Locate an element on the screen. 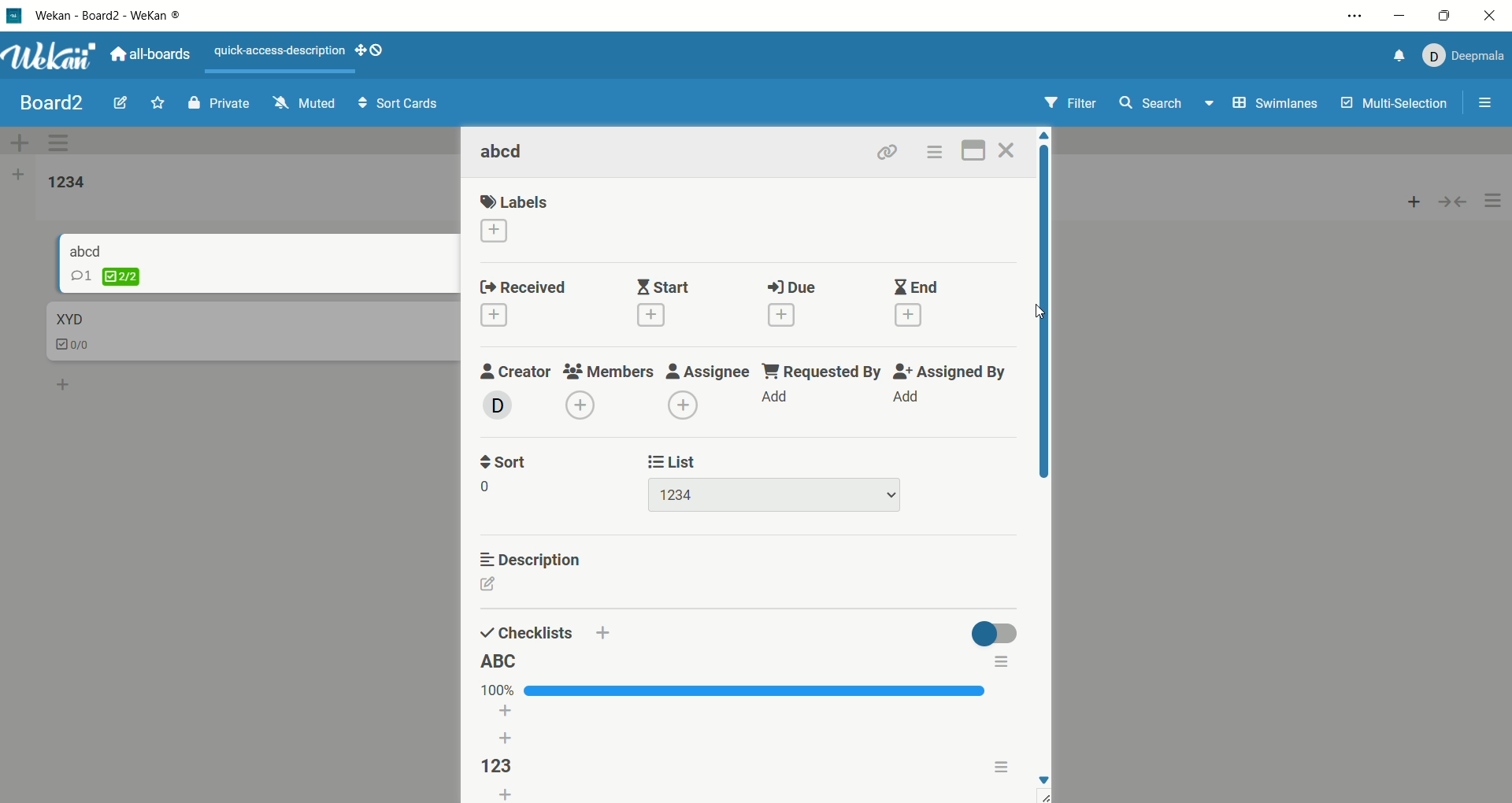 The height and width of the screenshot is (803, 1512). add is located at coordinates (909, 315).